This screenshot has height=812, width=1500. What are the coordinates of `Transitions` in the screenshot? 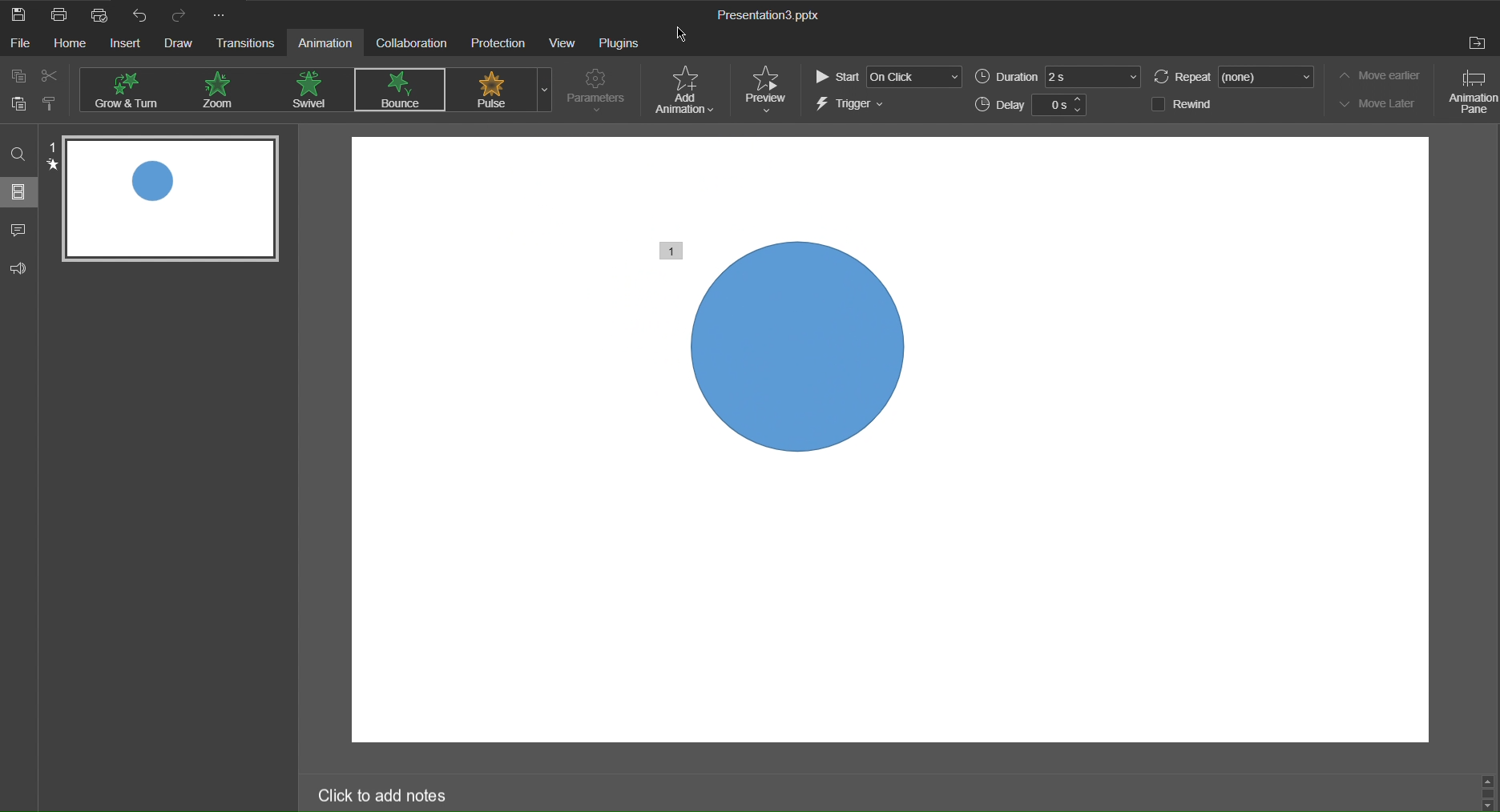 It's located at (249, 46).